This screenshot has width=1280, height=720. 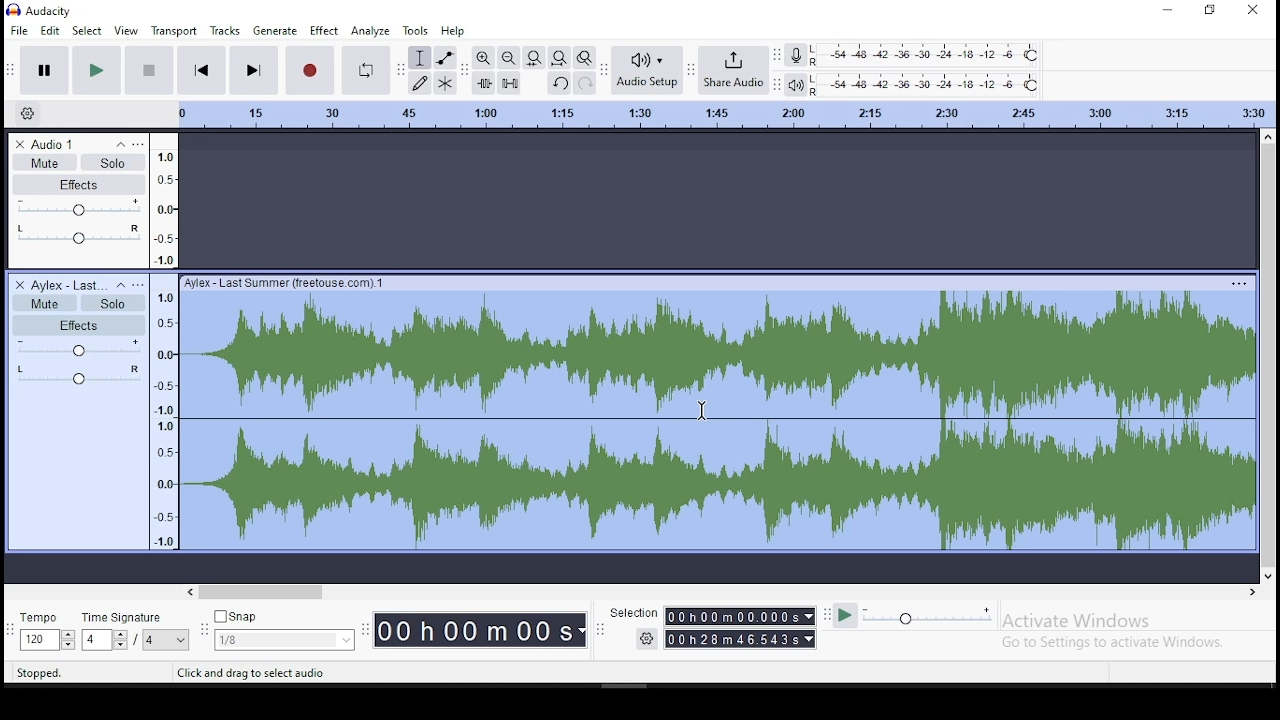 I want to click on solo, so click(x=111, y=303).